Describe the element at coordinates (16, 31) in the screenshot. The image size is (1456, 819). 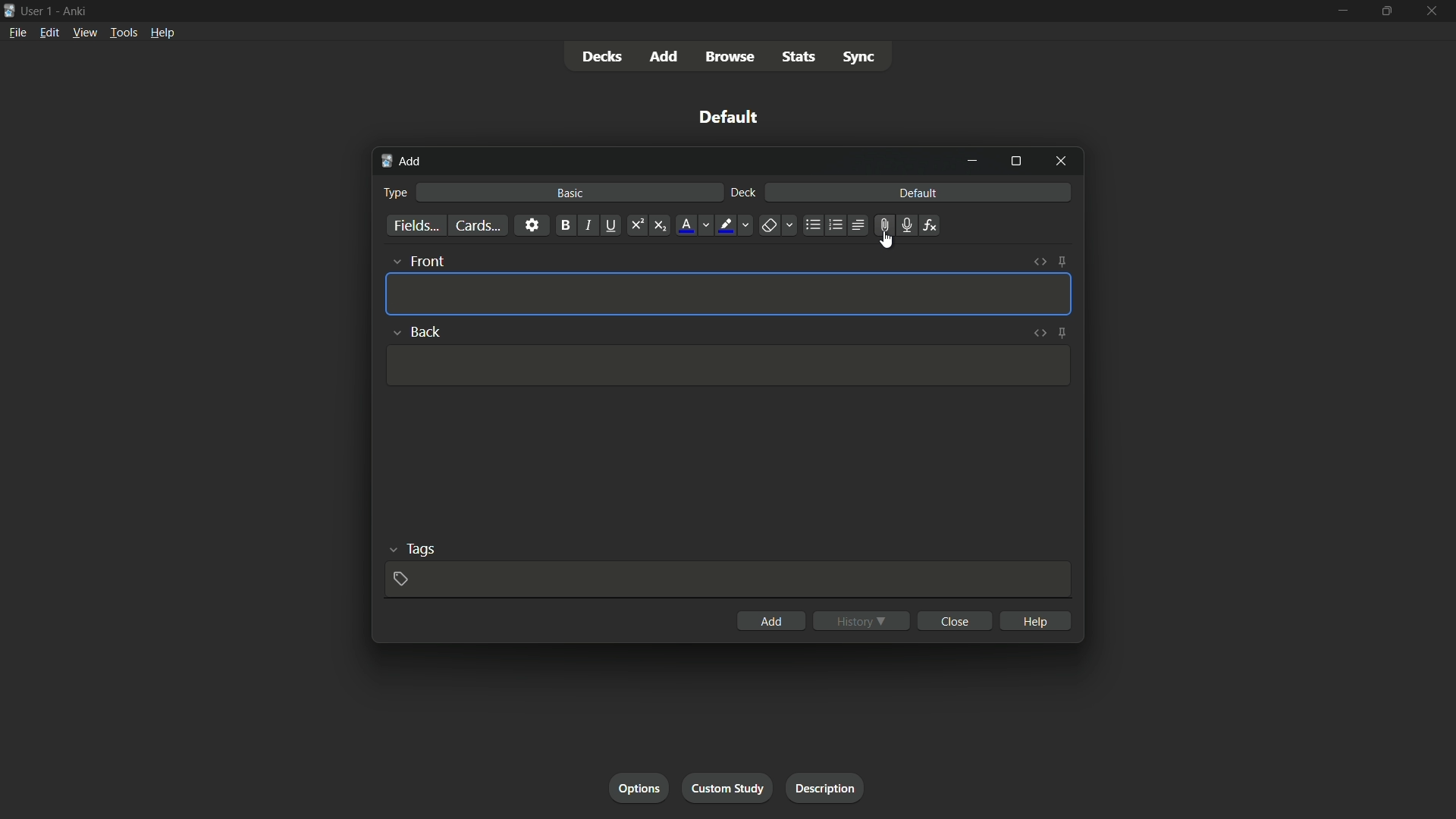
I see `file menu` at that location.